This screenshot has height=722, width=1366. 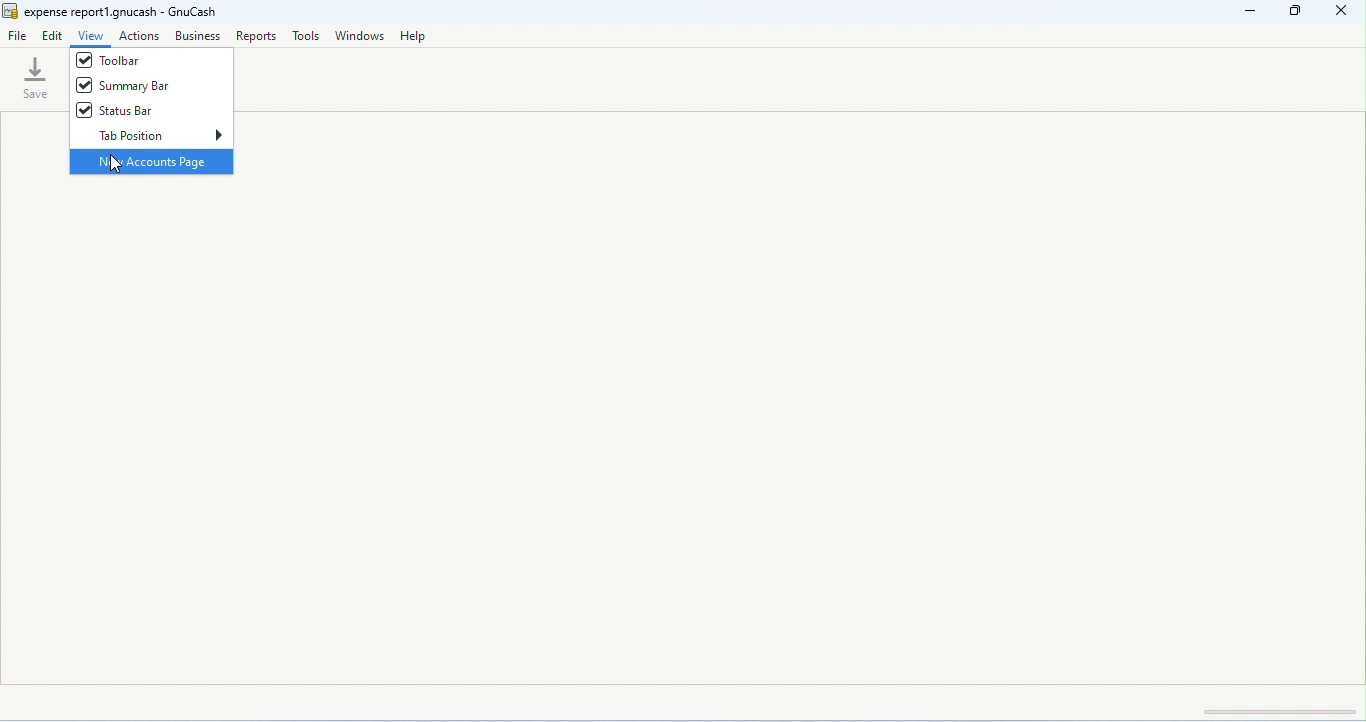 I want to click on status bar, so click(x=114, y=110).